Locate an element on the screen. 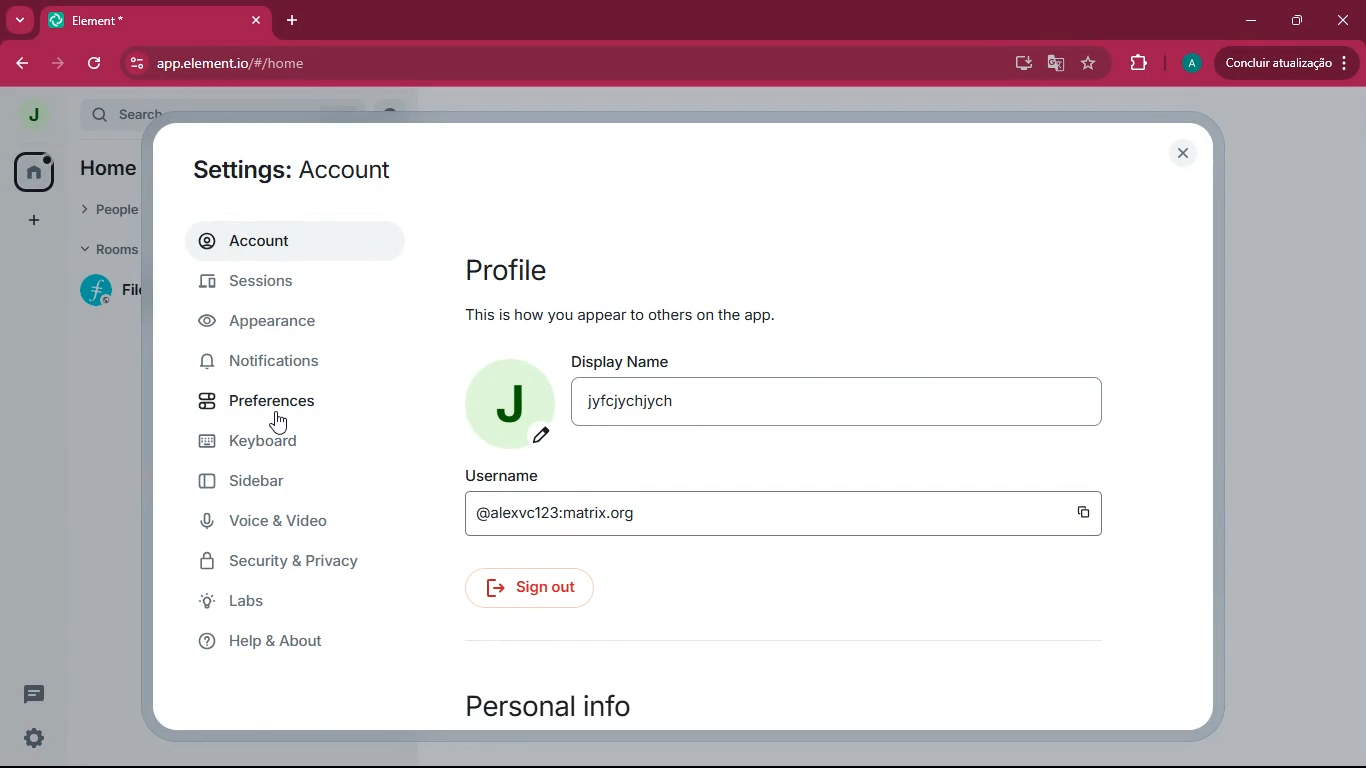  Notifications is located at coordinates (269, 368).